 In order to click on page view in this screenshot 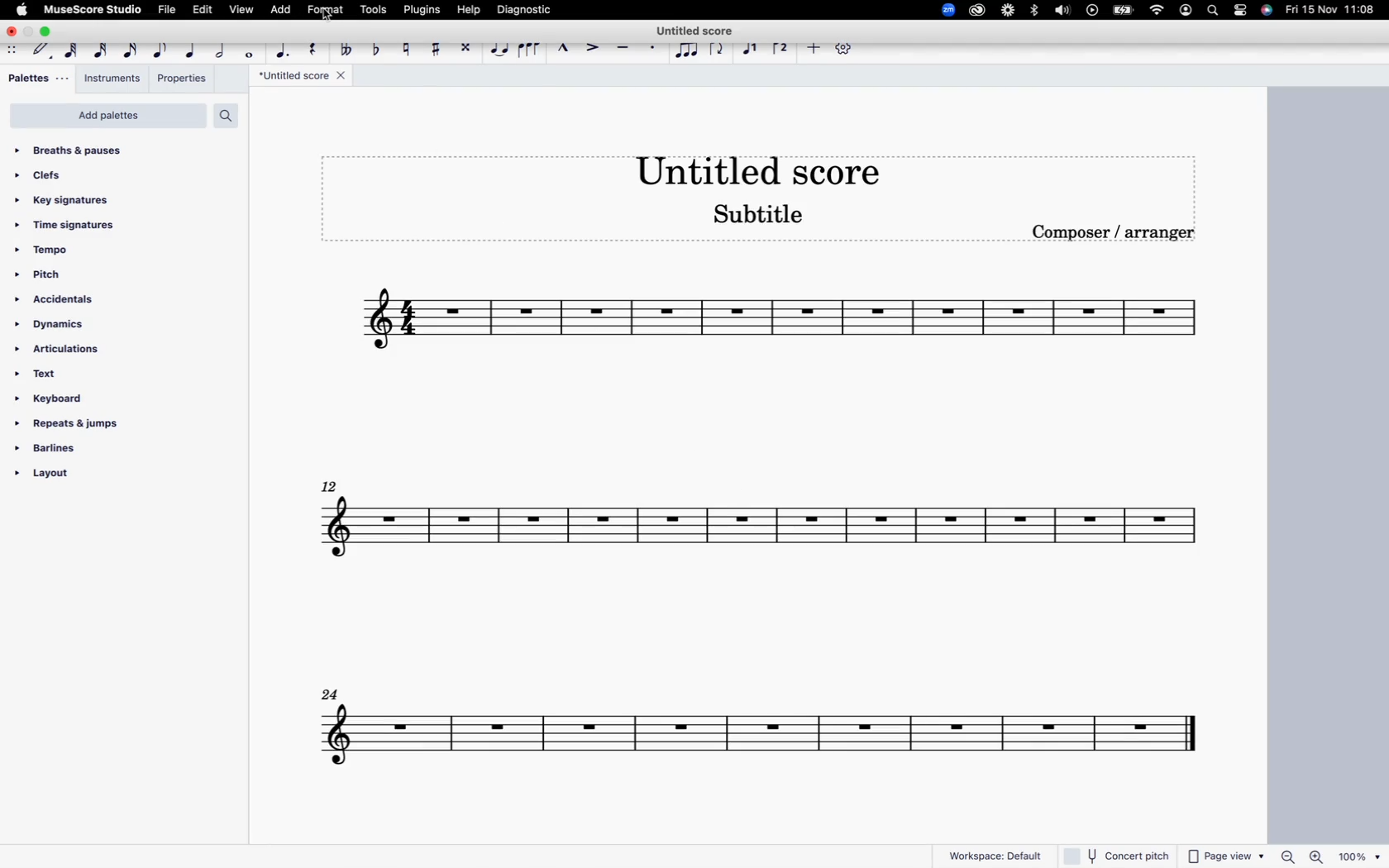, I will do `click(1226, 853)`.